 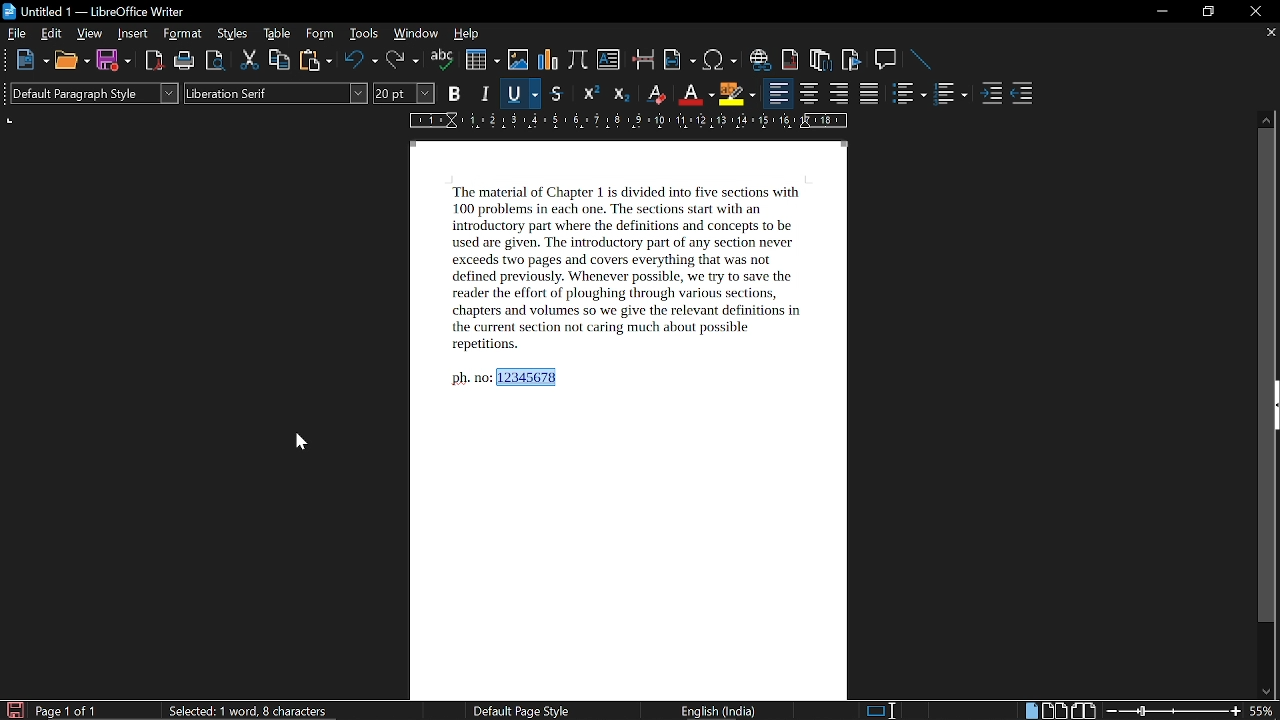 I want to click on print, so click(x=182, y=61).